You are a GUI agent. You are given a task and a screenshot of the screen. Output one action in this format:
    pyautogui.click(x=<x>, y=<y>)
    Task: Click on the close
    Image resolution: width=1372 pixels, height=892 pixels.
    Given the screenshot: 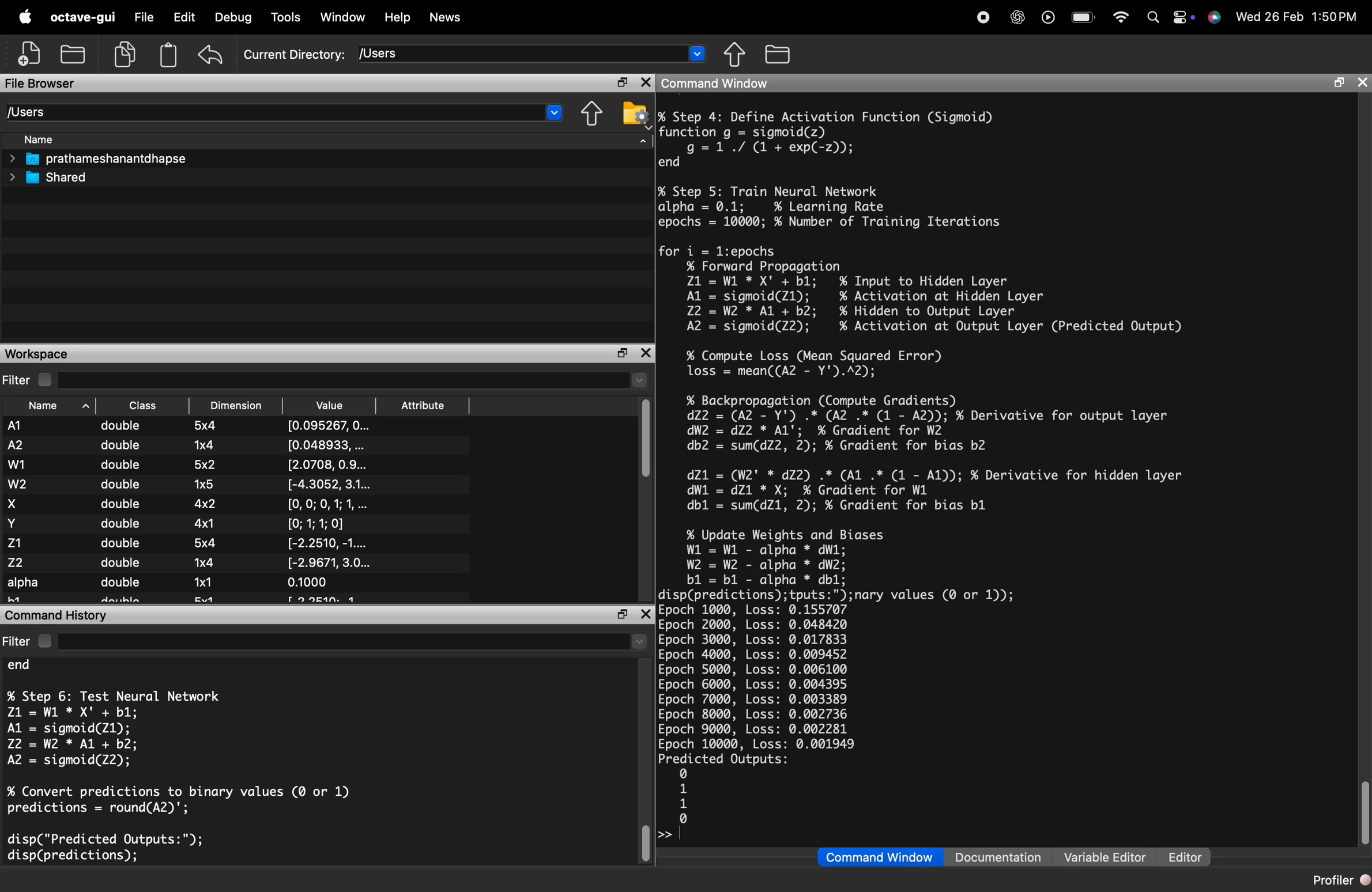 What is the action you would take?
    pyautogui.click(x=646, y=83)
    